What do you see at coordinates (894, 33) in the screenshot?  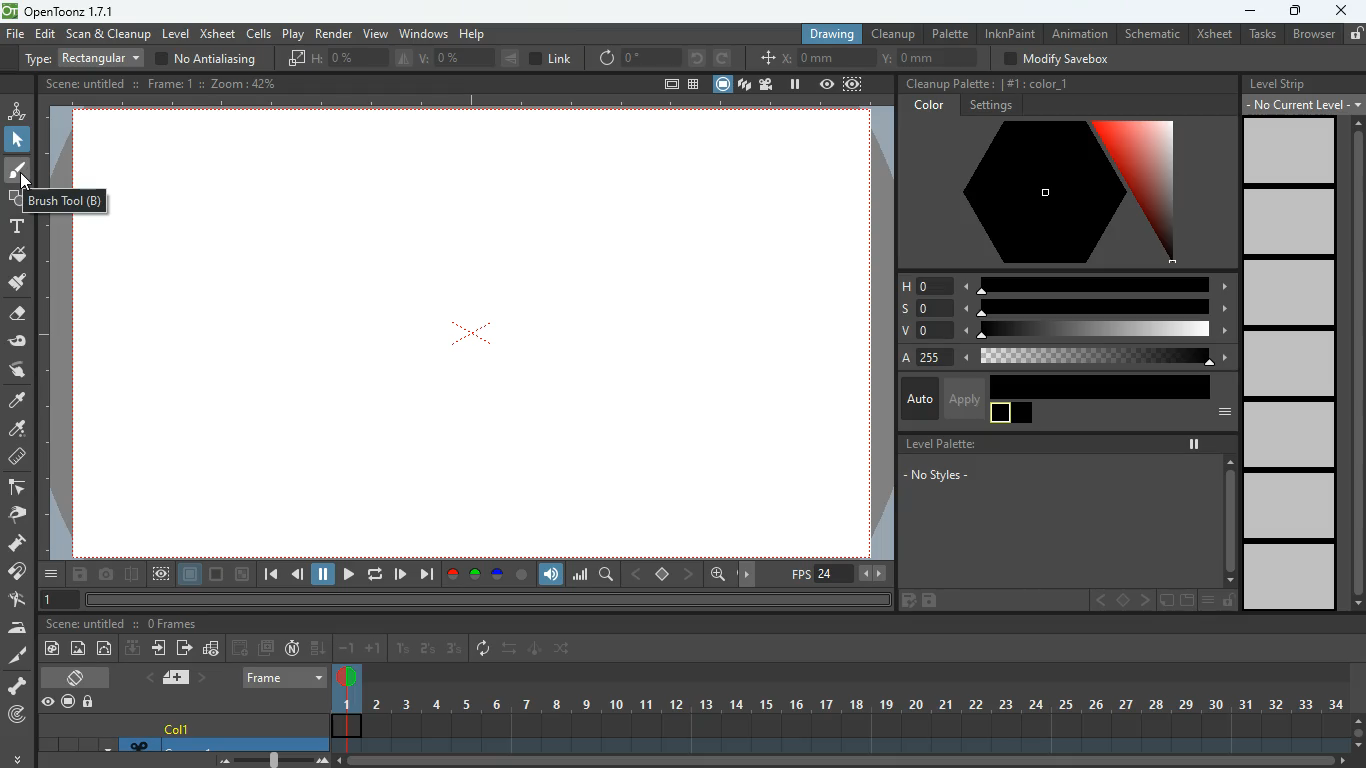 I see `cleanup` at bounding box center [894, 33].